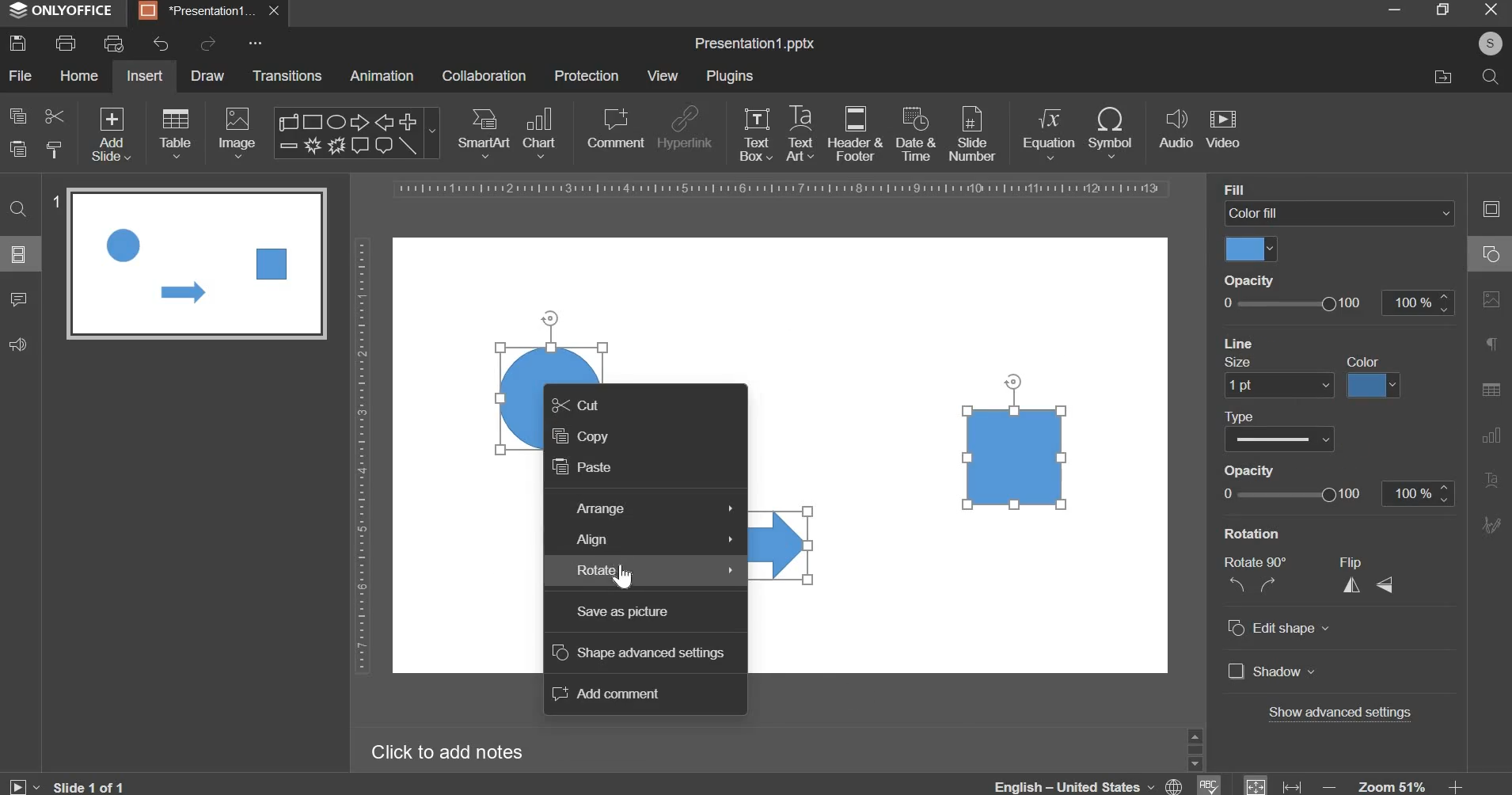  Describe the element at coordinates (756, 134) in the screenshot. I see `text box` at that location.